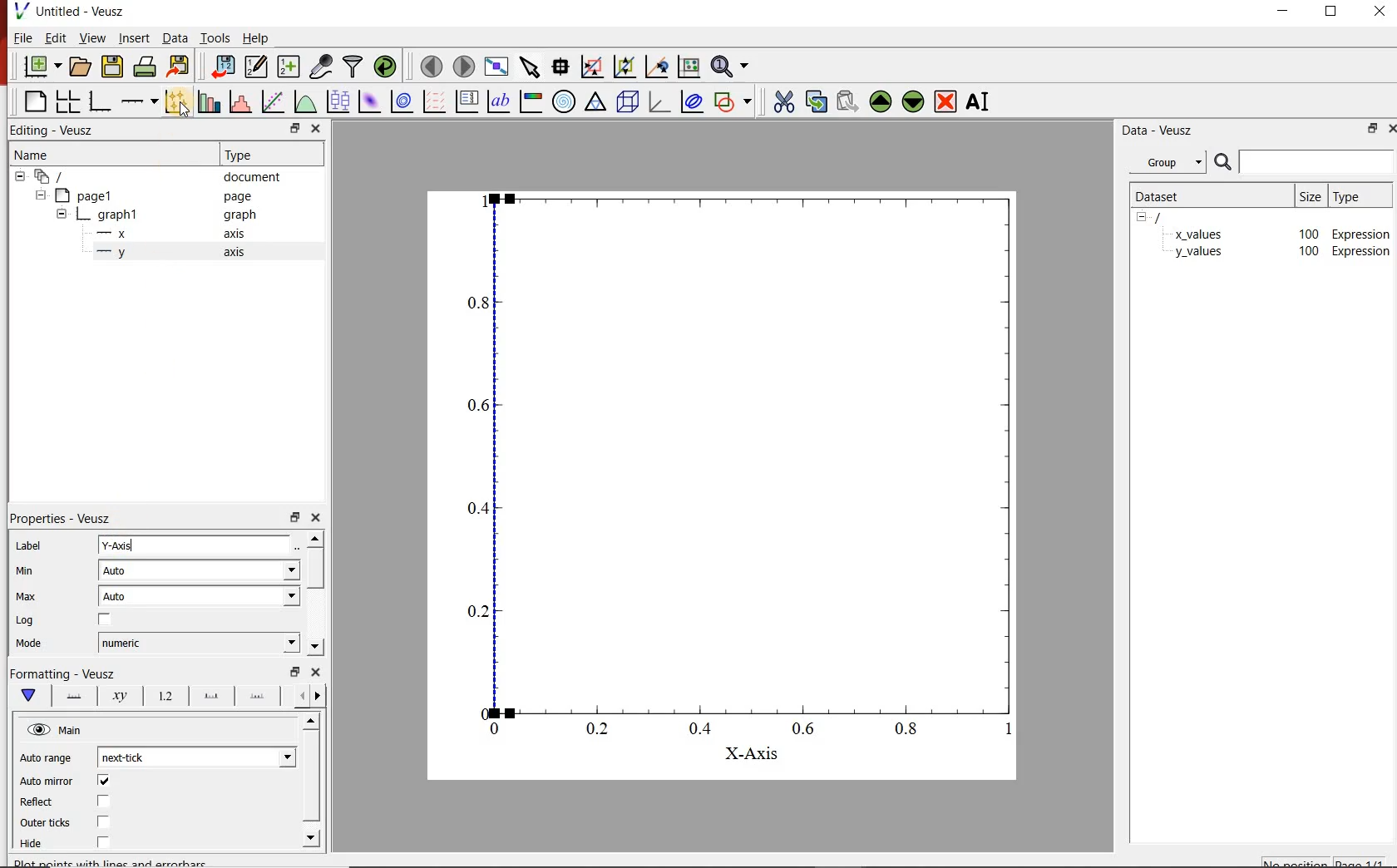  I want to click on checkbox, so click(105, 800).